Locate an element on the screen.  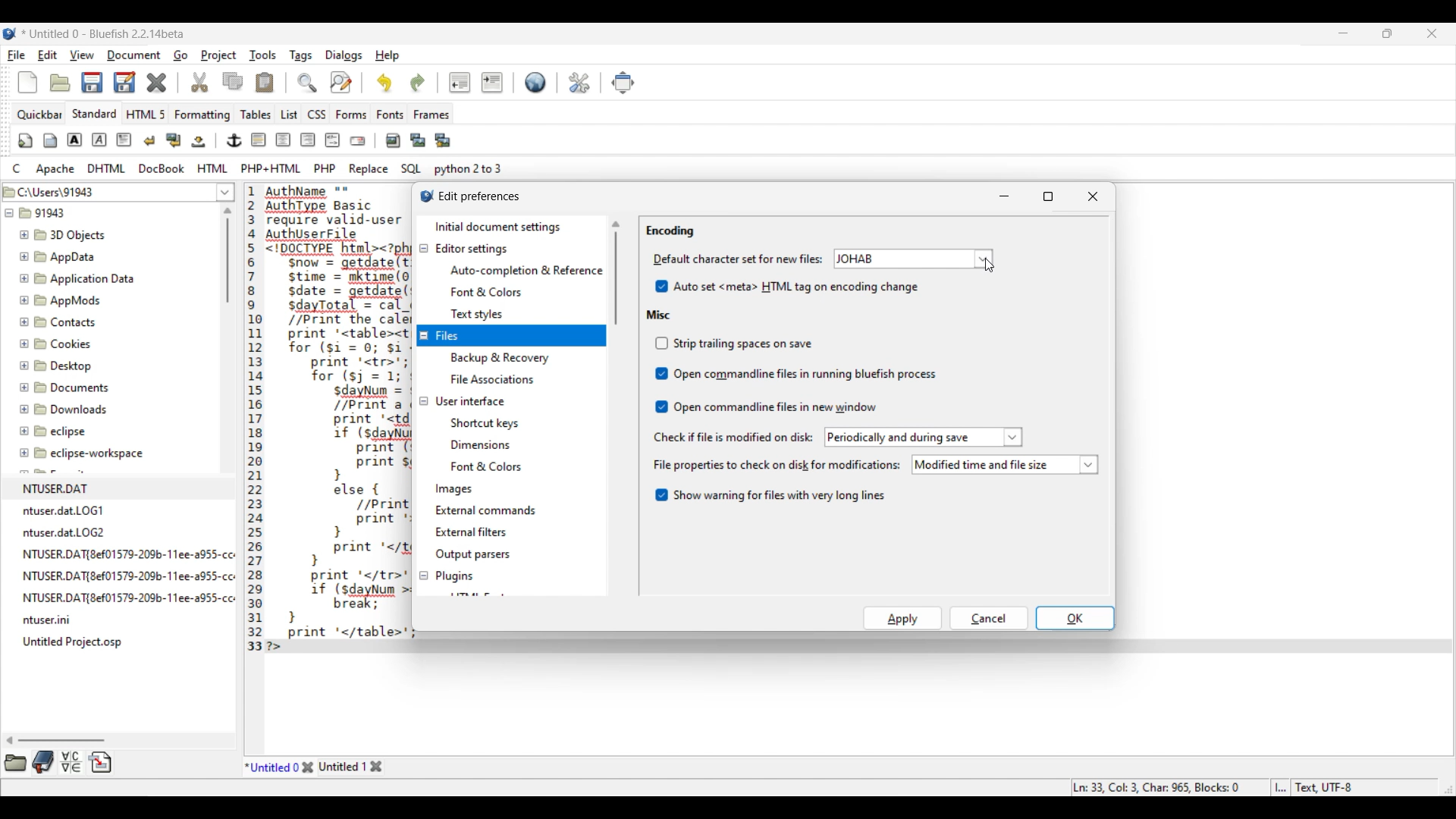
Open is located at coordinates (60, 83).